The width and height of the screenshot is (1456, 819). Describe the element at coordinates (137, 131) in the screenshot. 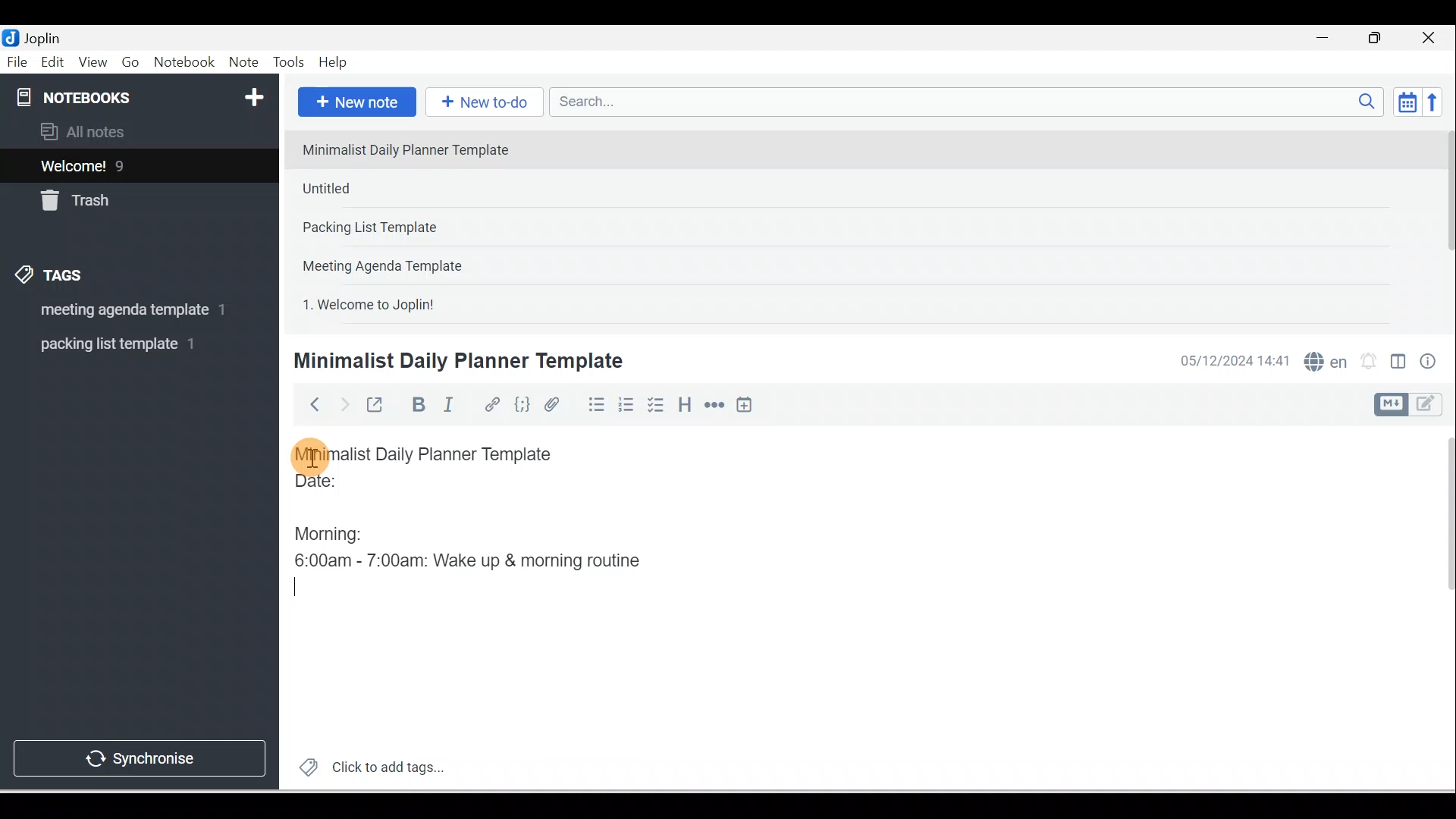

I see `All notes` at that location.